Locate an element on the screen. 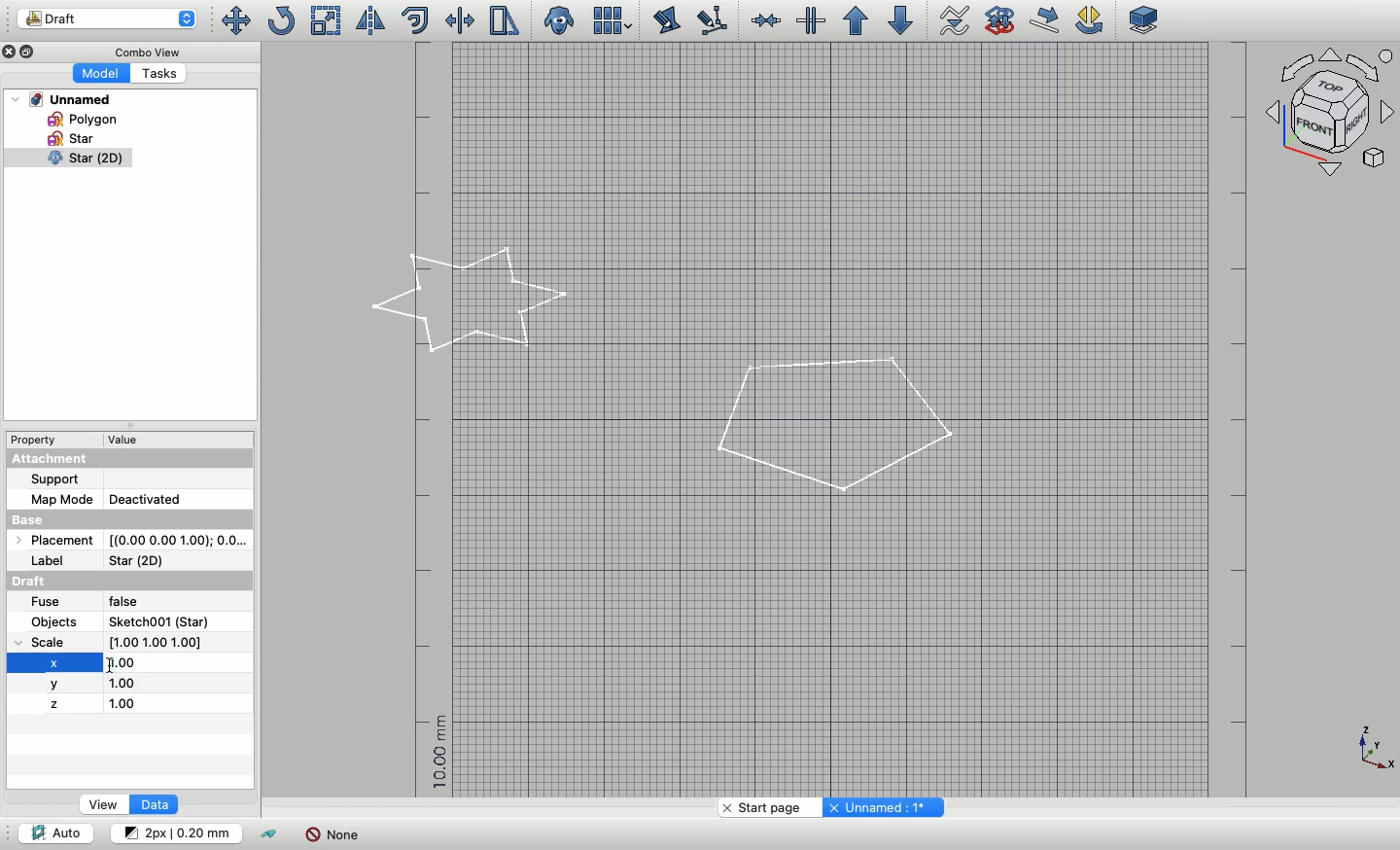 The height and width of the screenshot is (850, 1400). Scale is located at coordinates (327, 20).